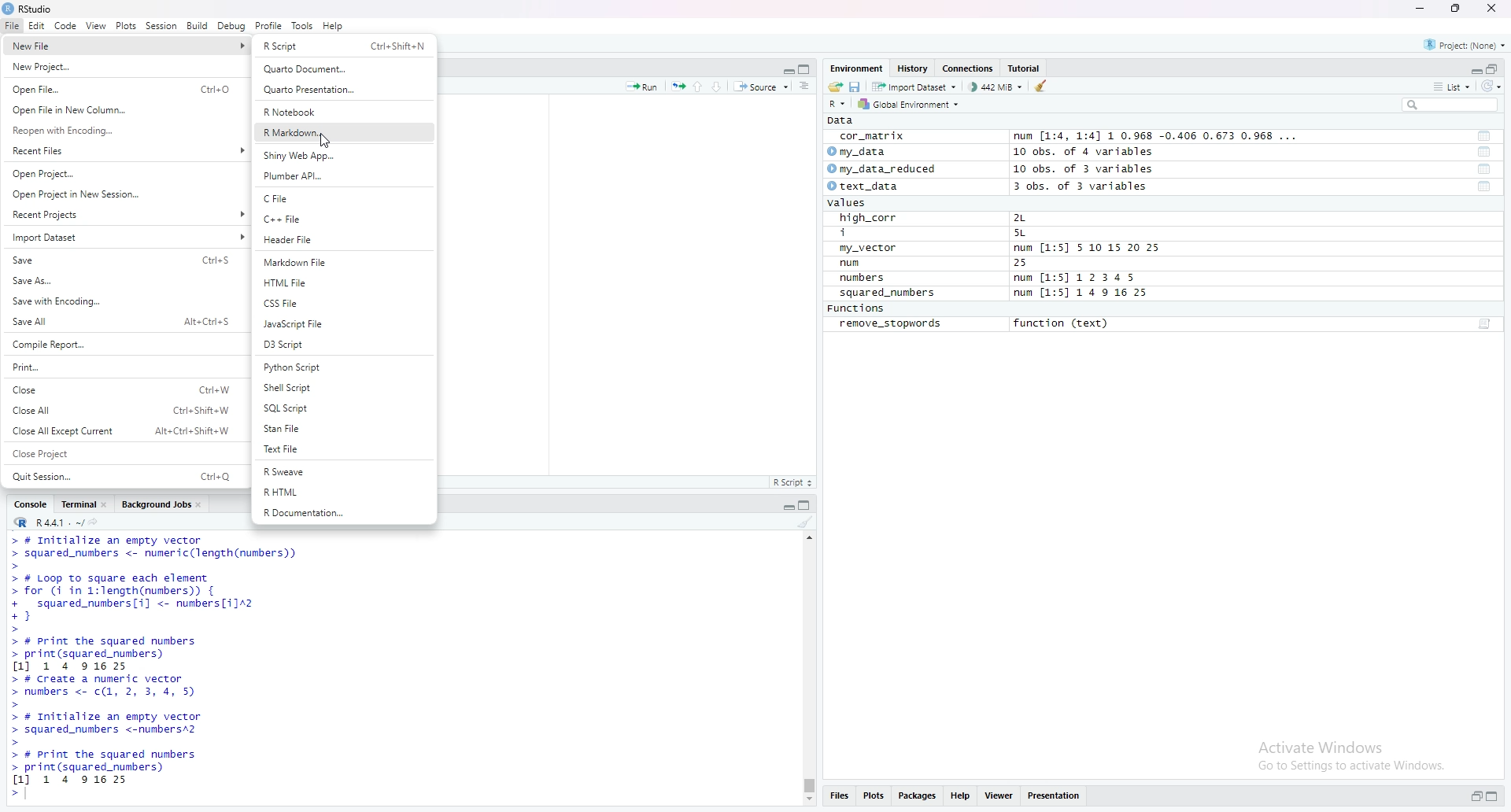 The height and width of the screenshot is (812, 1511). I want to click on R HTML, so click(344, 493).